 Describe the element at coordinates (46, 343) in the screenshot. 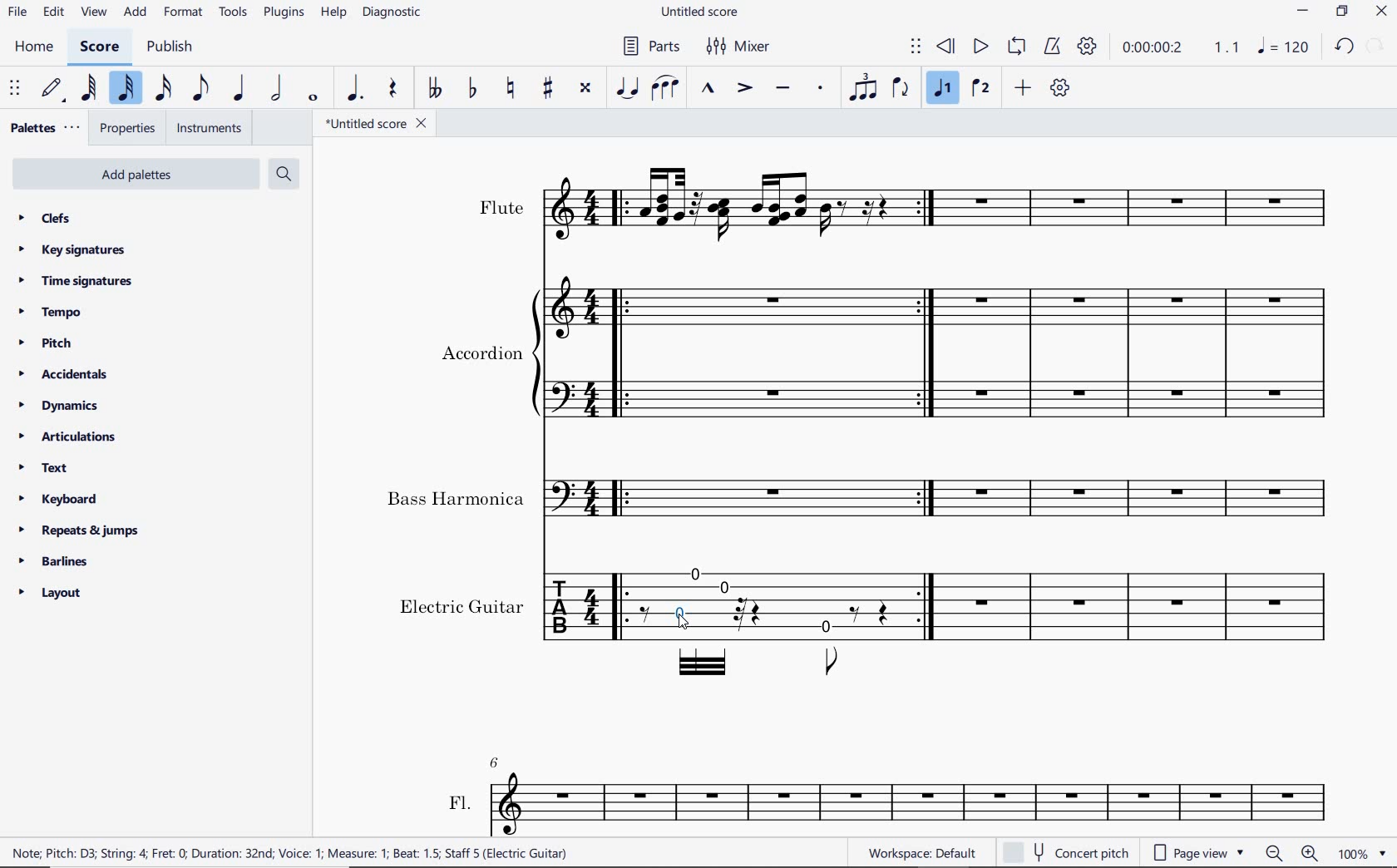

I see `pitch` at that location.